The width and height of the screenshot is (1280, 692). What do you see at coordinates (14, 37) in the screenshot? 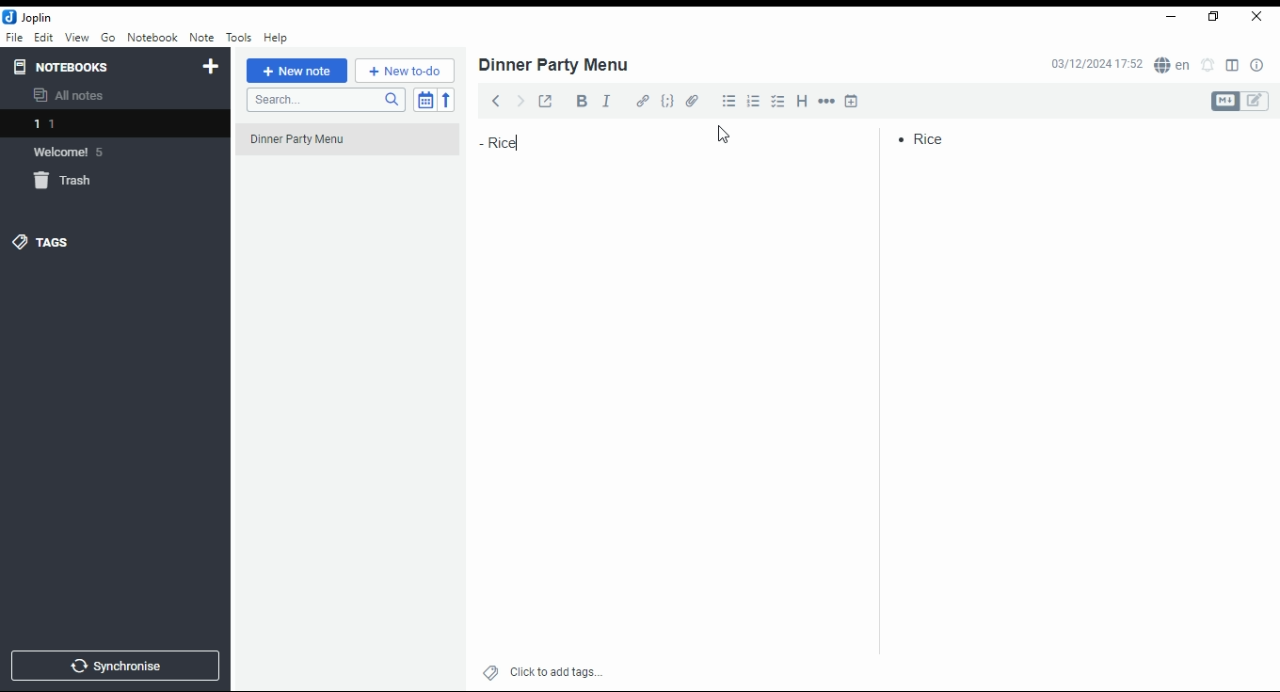
I see `file` at bounding box center [14, 37].